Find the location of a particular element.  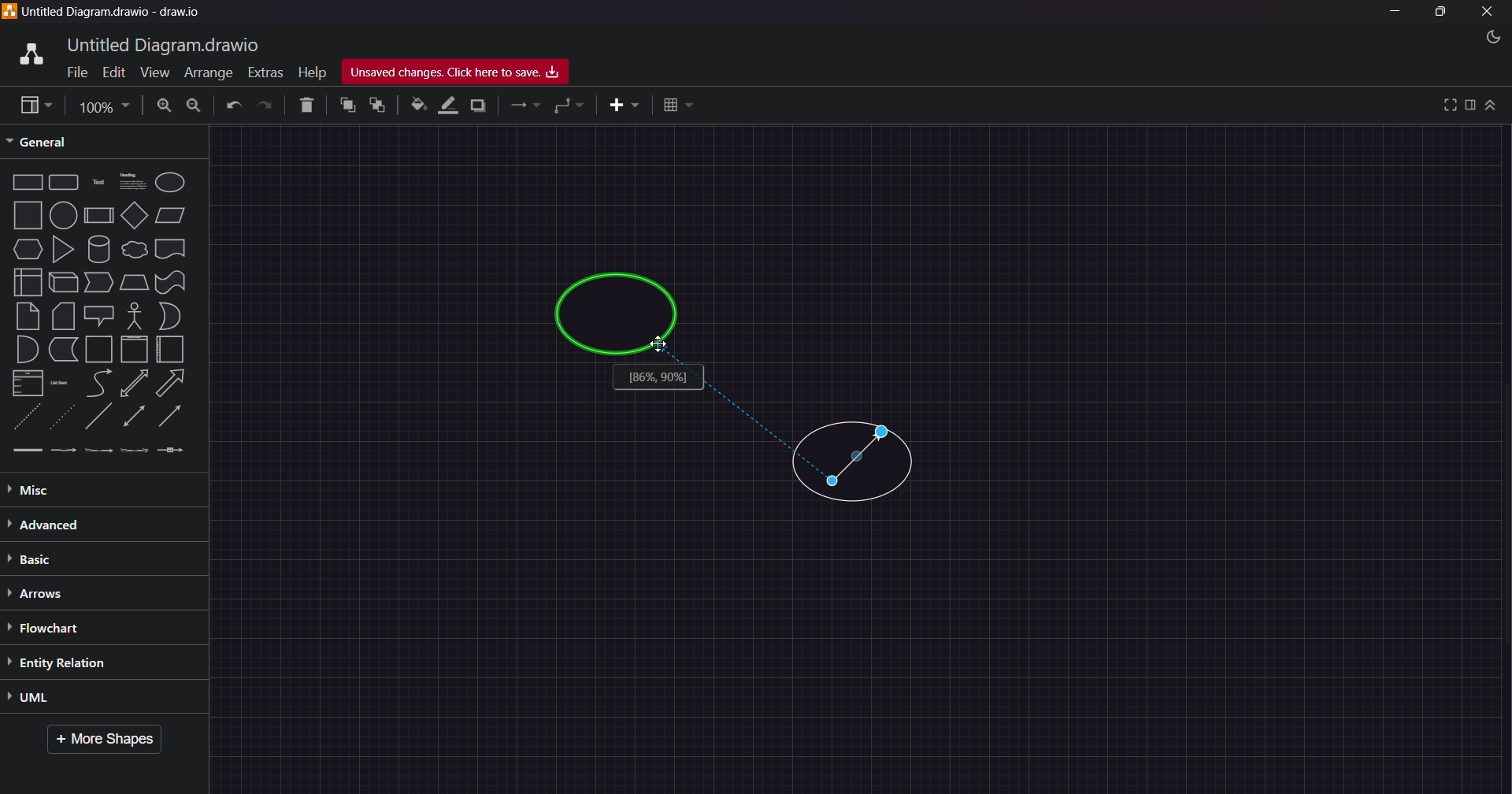

shadow is located at coordinates (481, 105).